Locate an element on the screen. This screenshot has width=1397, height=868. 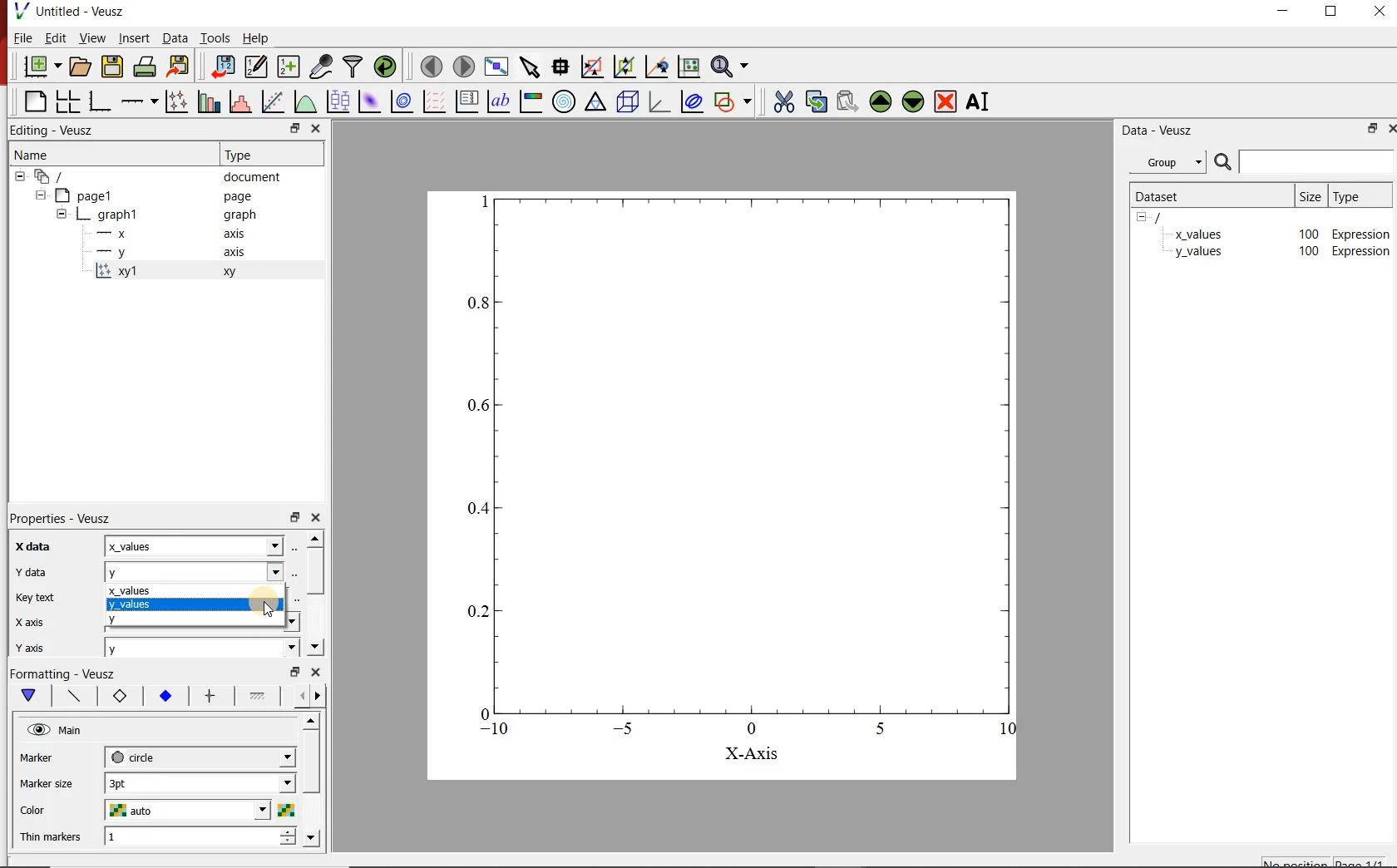
x_values is located at coordinates (196, 590).